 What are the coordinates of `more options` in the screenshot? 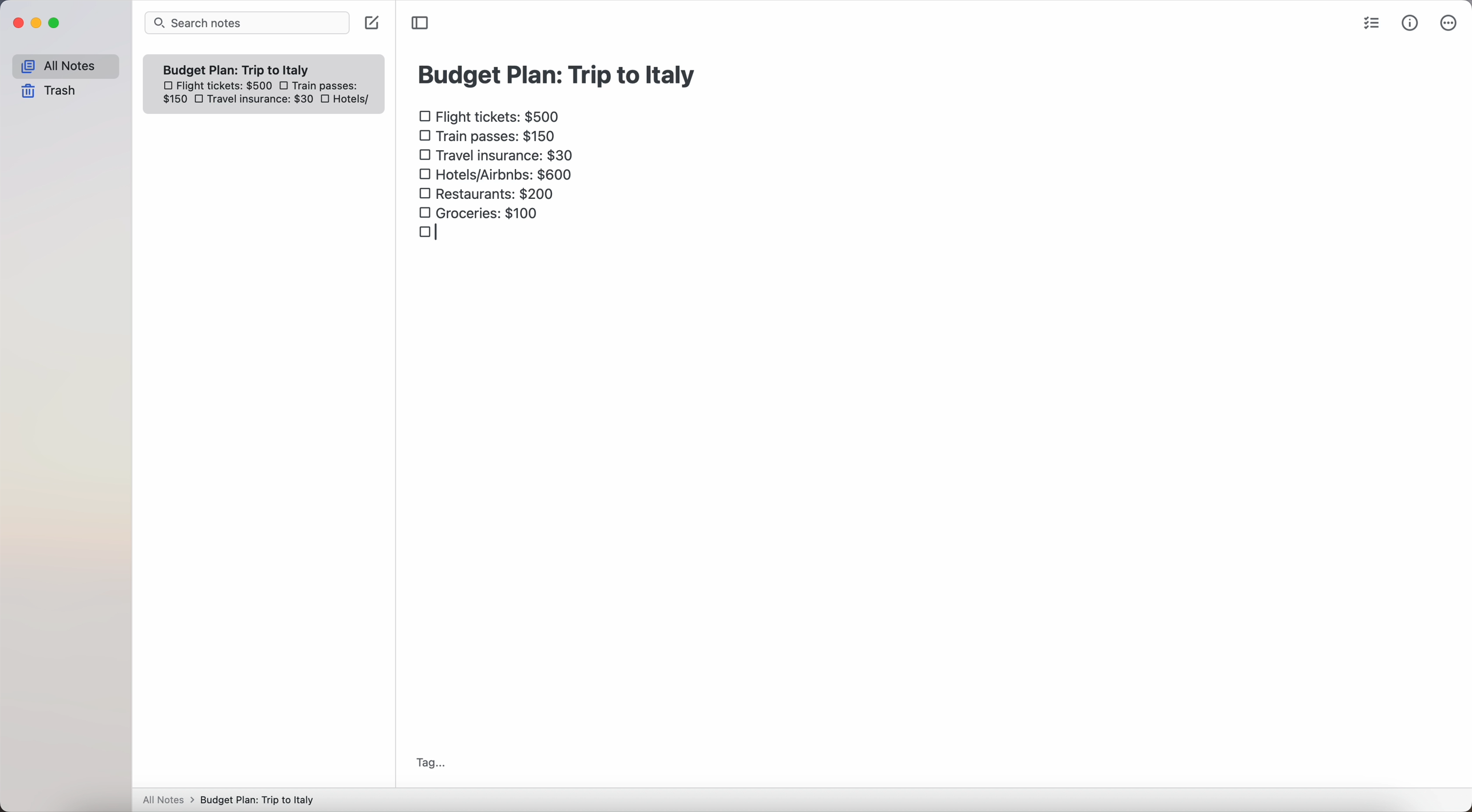 It's located at (1449, 23).